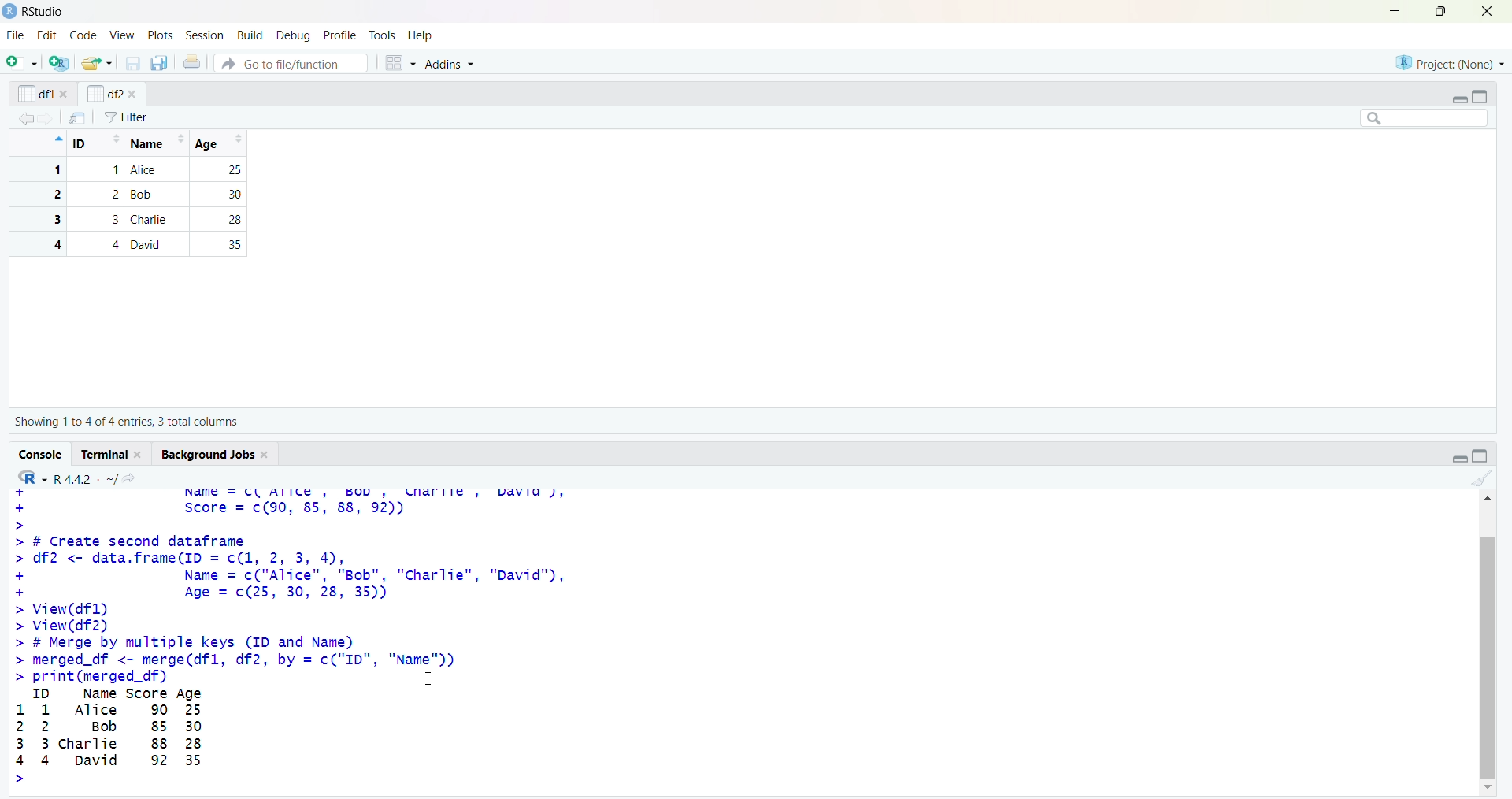 The width and height of the screenshot is (1512, 799). What do you see at coordinates (420, 35) in the screenshot?
I see `Help` at bounding box center [420, 35].